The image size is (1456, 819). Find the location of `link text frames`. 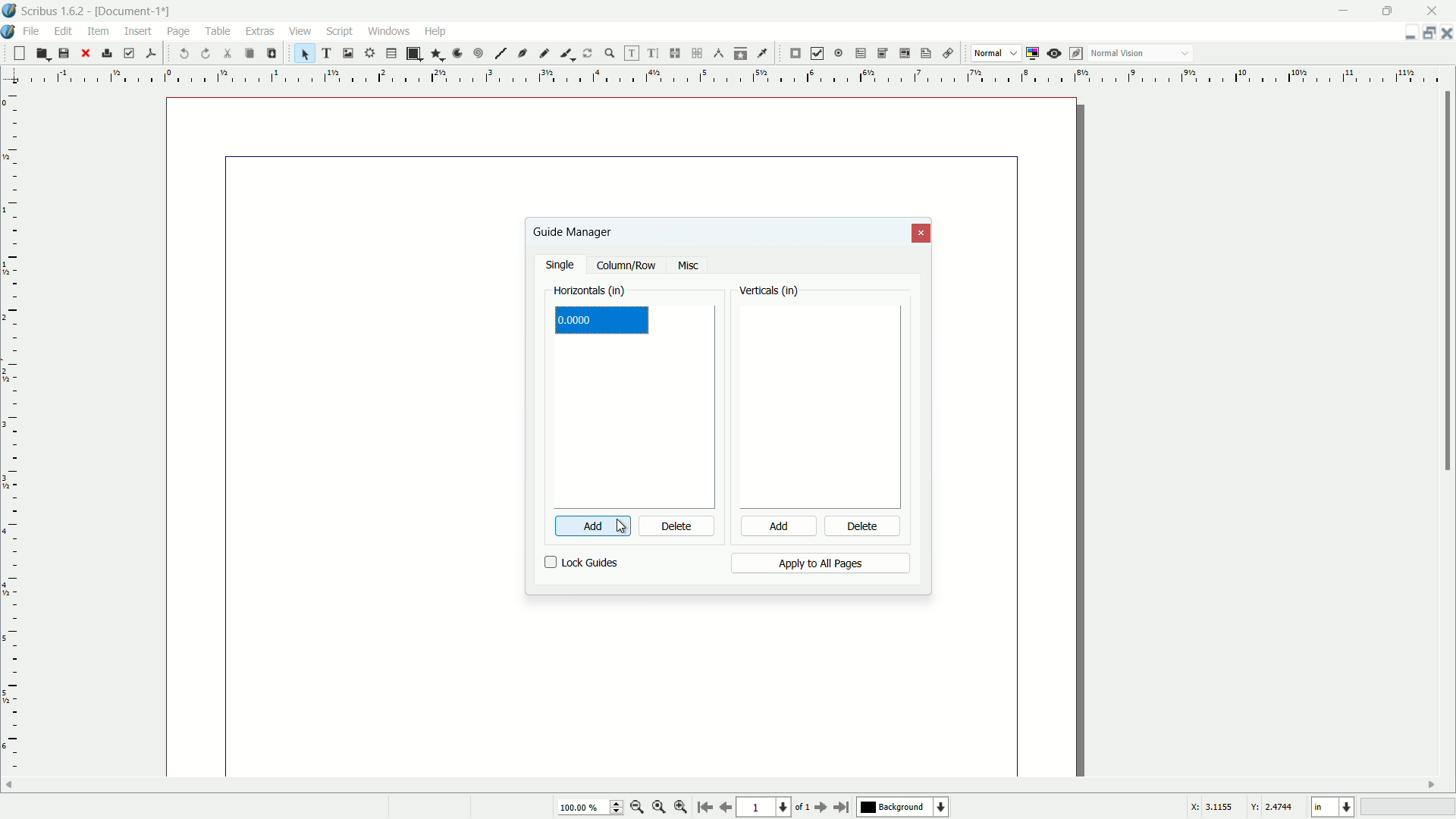

link text frames is located at coordinates (676, 53).